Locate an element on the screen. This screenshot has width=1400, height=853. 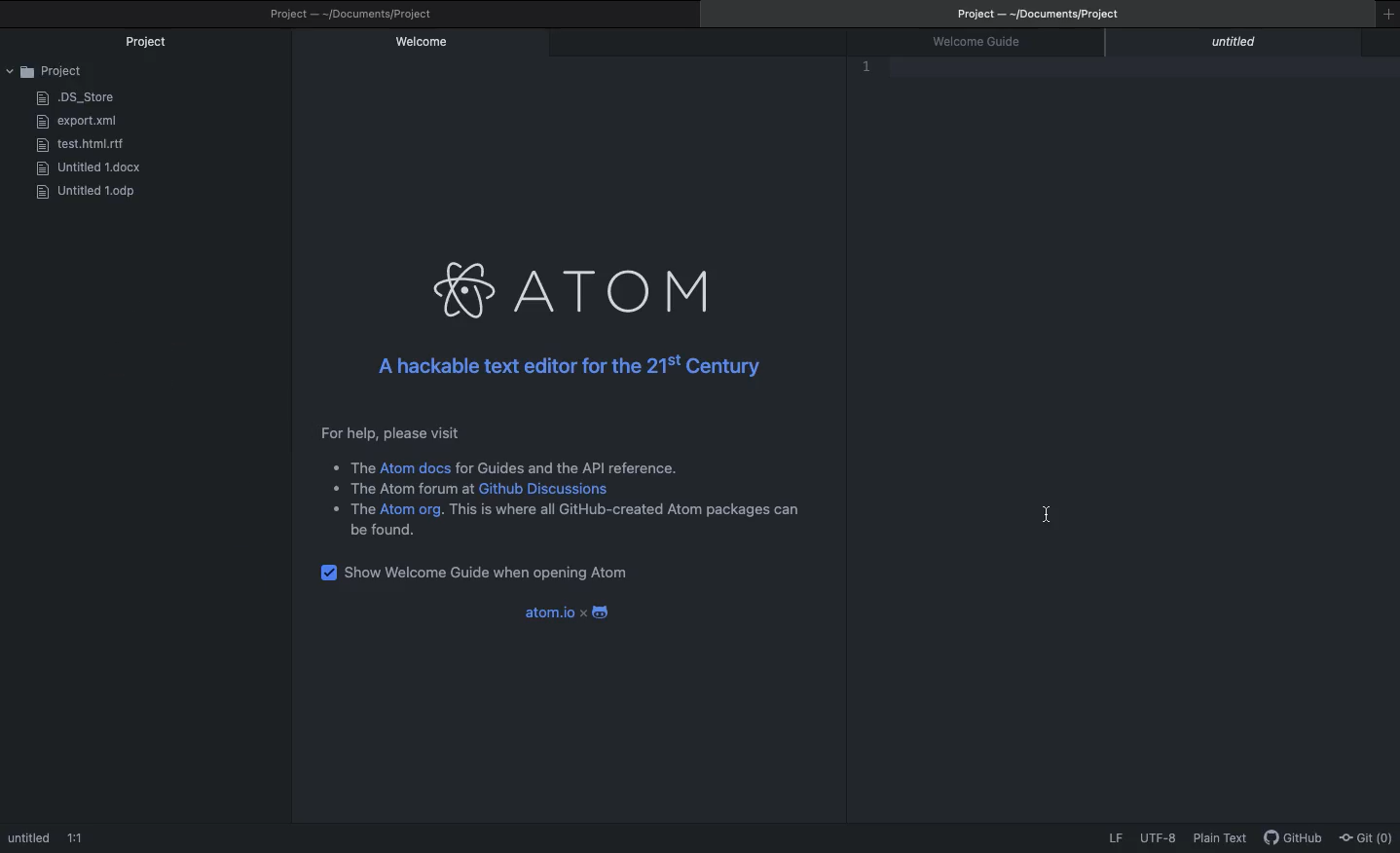
Logo is located at coordinates (570, 291).